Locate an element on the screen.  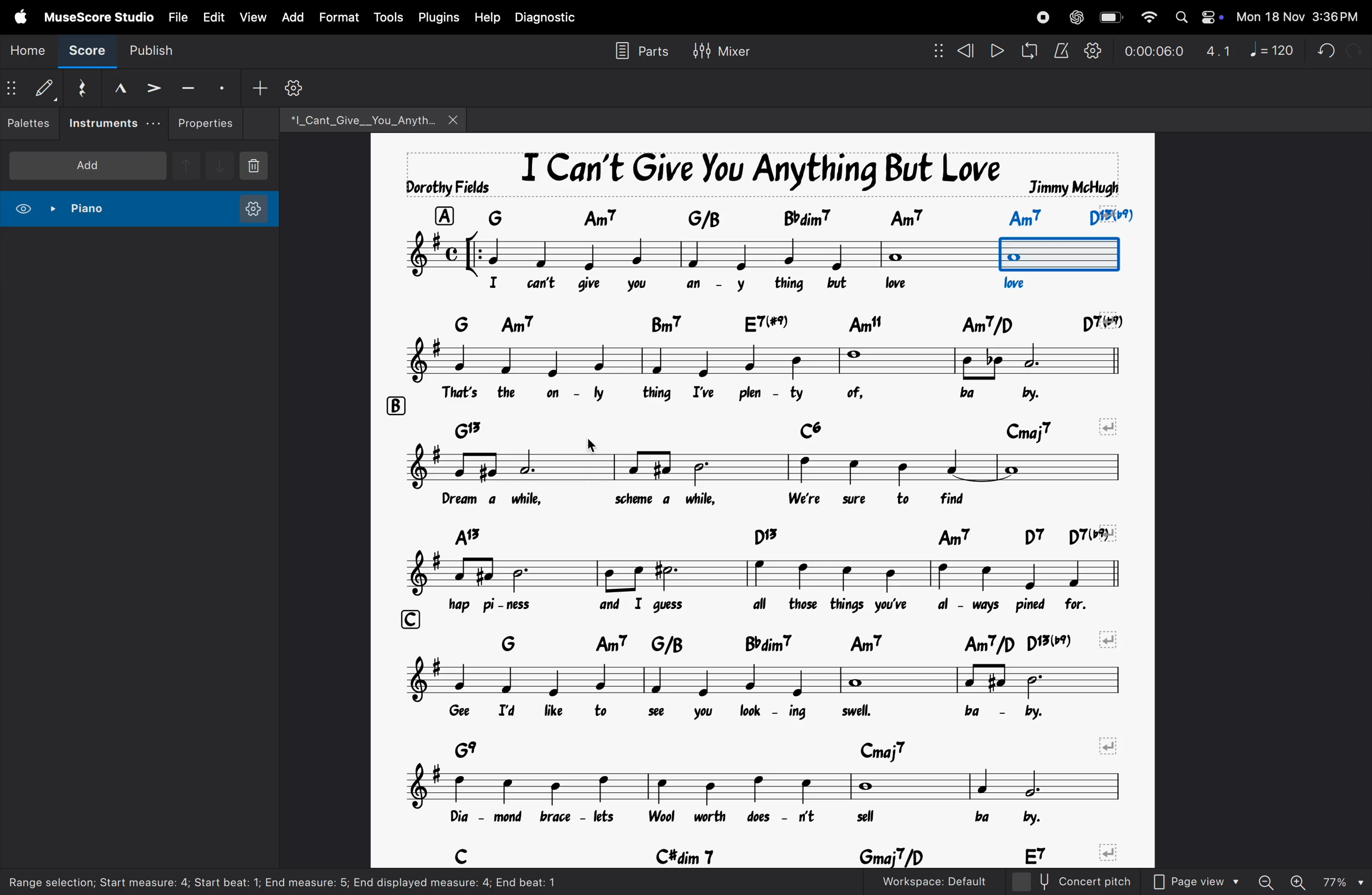
note 120 is located at coordinates (1269, 48).